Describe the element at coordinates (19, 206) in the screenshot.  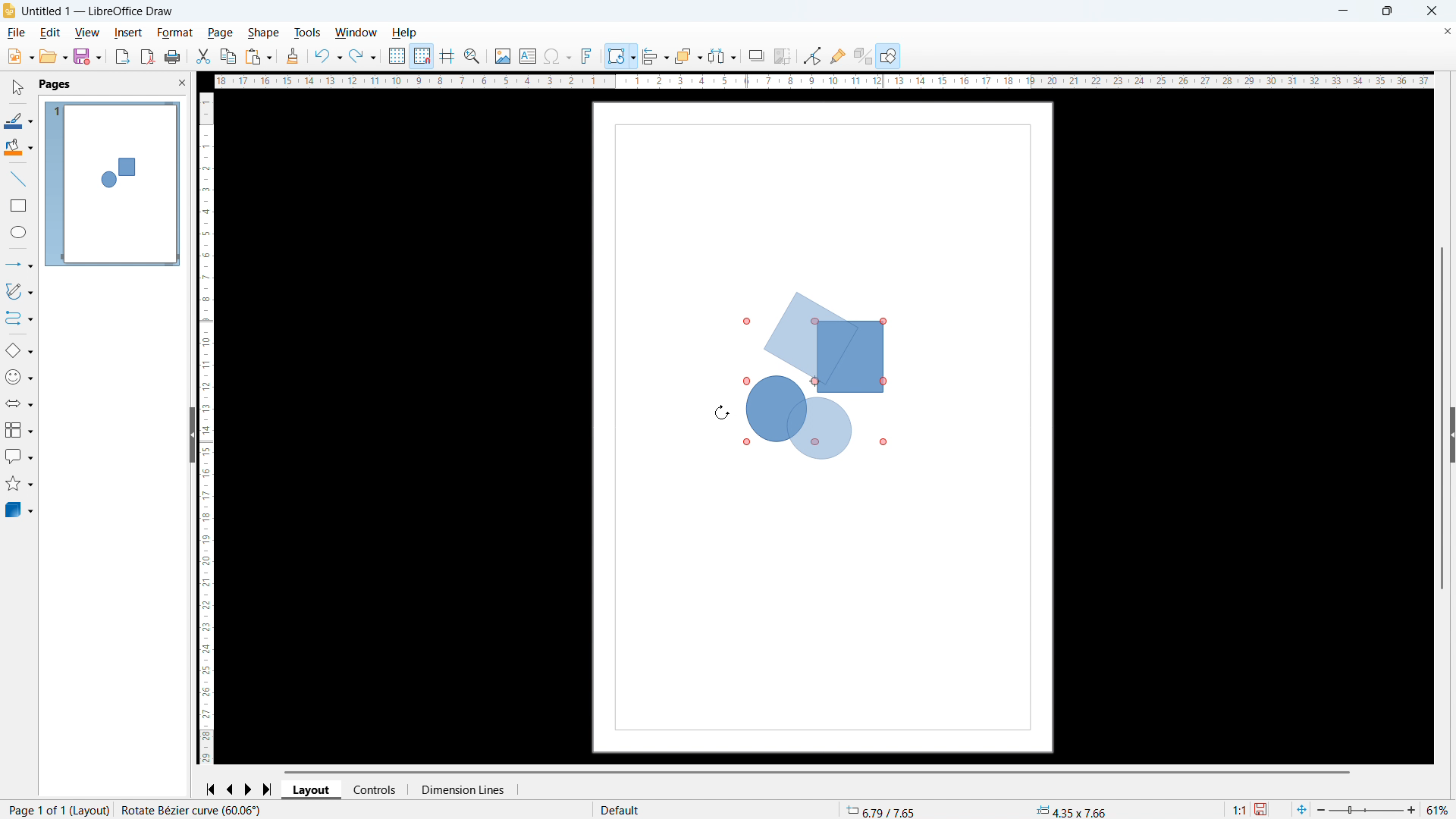
I see `Rectangle ` at that location.